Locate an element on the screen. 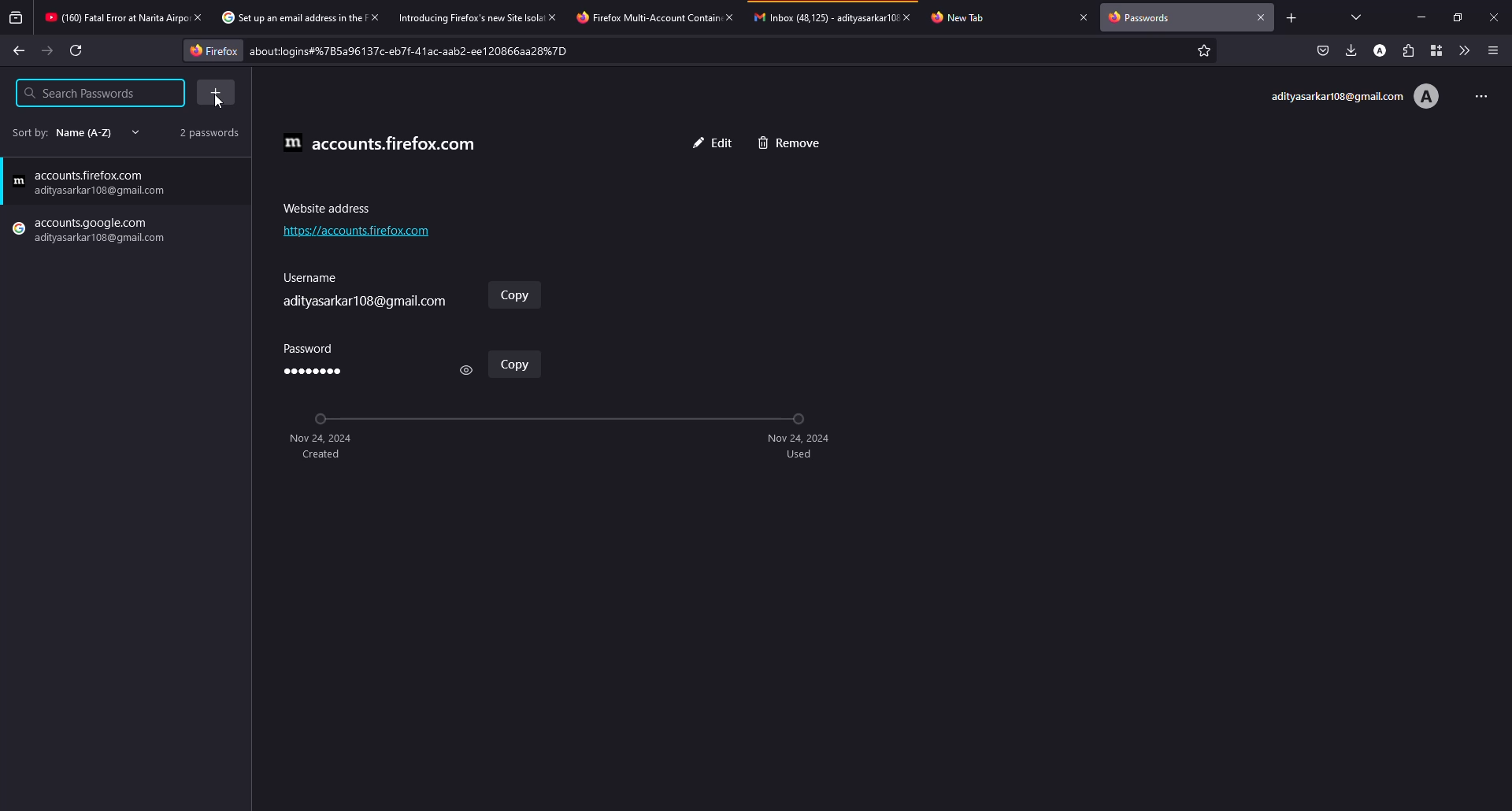 The width and height of the screenshot is (1512, 811). forward is located at coordinates (48, 51).